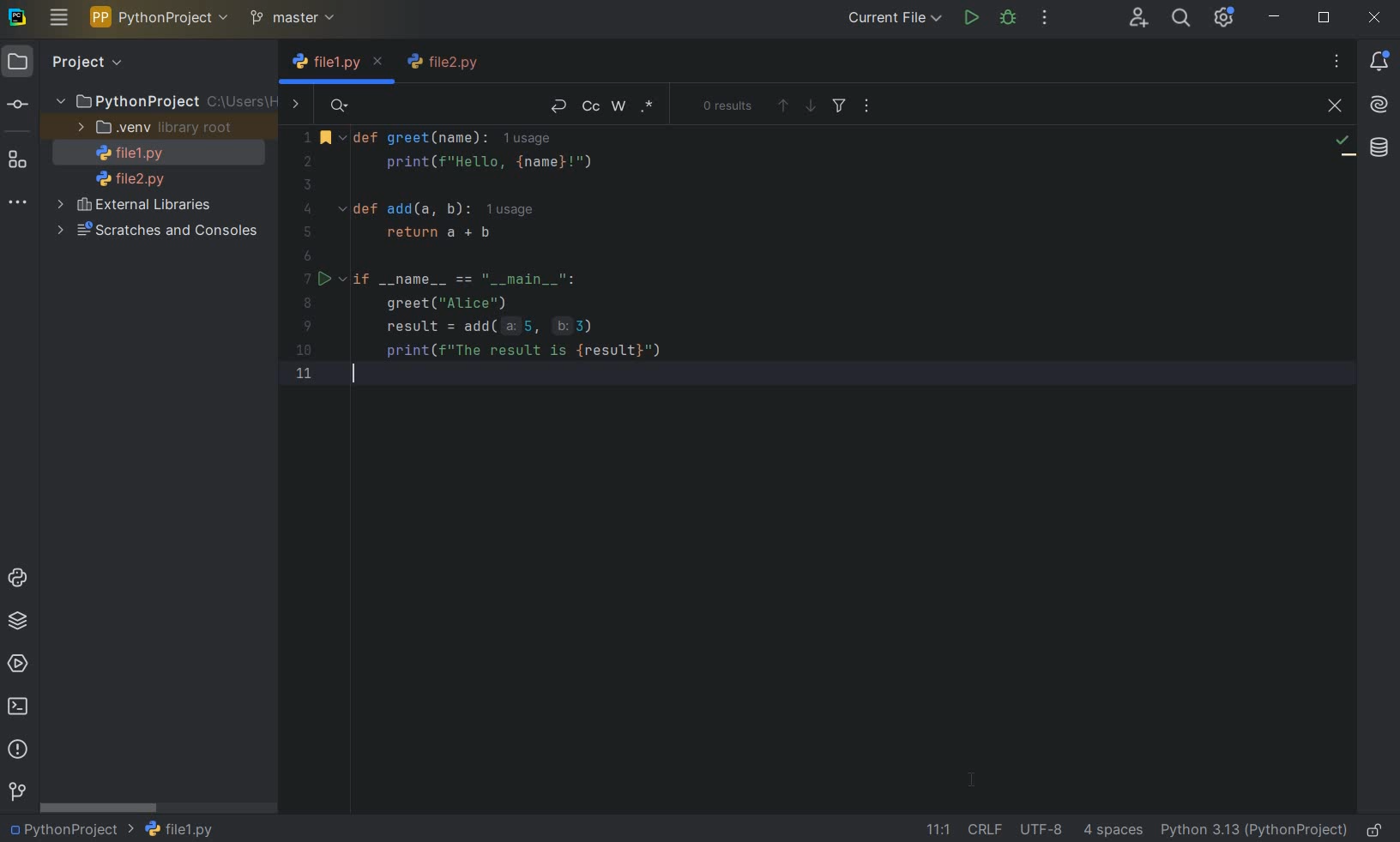 This screenshot has height=842, width=1400. What do you see at coordinates (99, 809) in the screenshot?
I see `SCROLLBAR` at bounding box center [99, 809].